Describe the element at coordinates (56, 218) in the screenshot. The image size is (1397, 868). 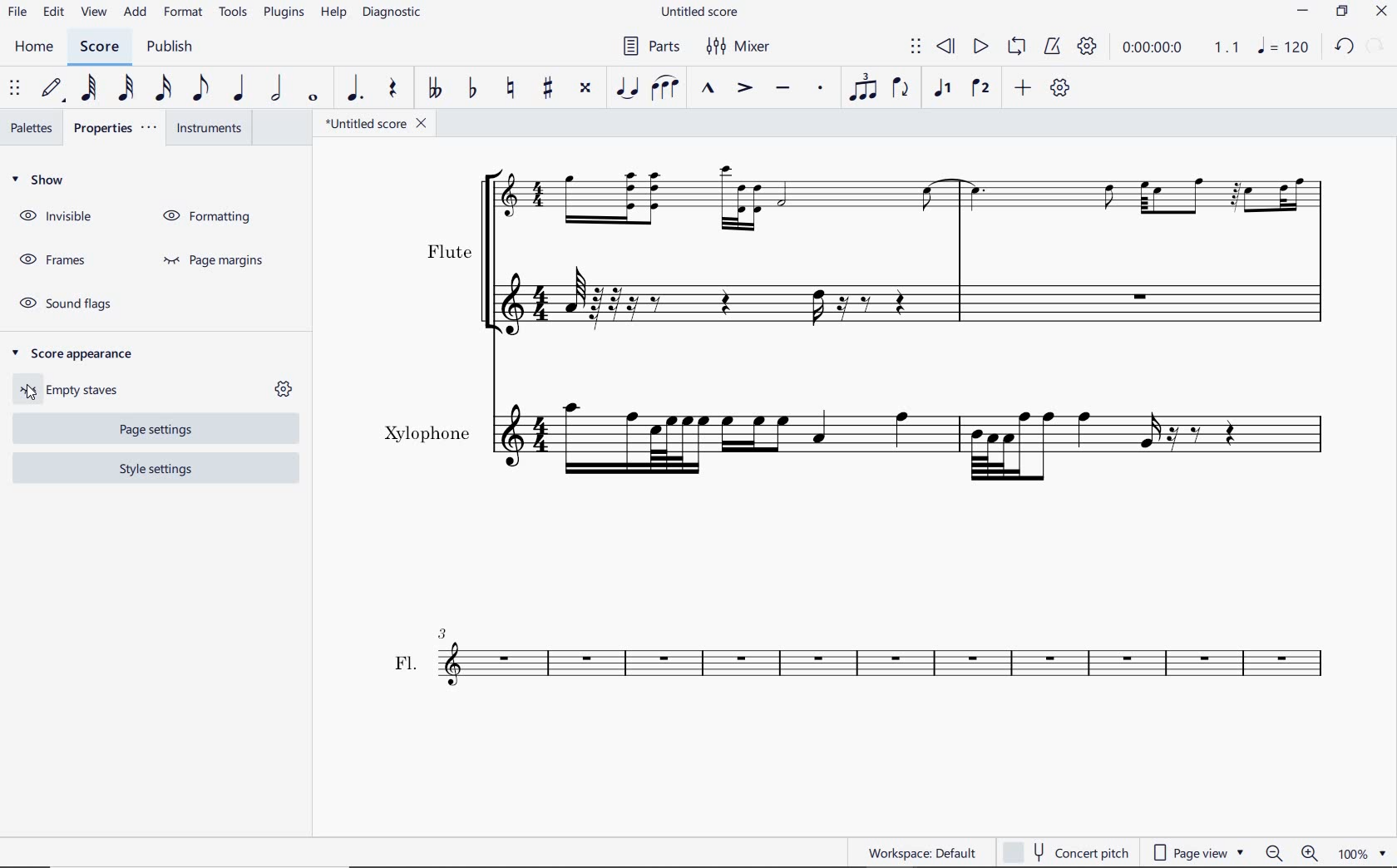
I see `INVISIBLE` at that location.